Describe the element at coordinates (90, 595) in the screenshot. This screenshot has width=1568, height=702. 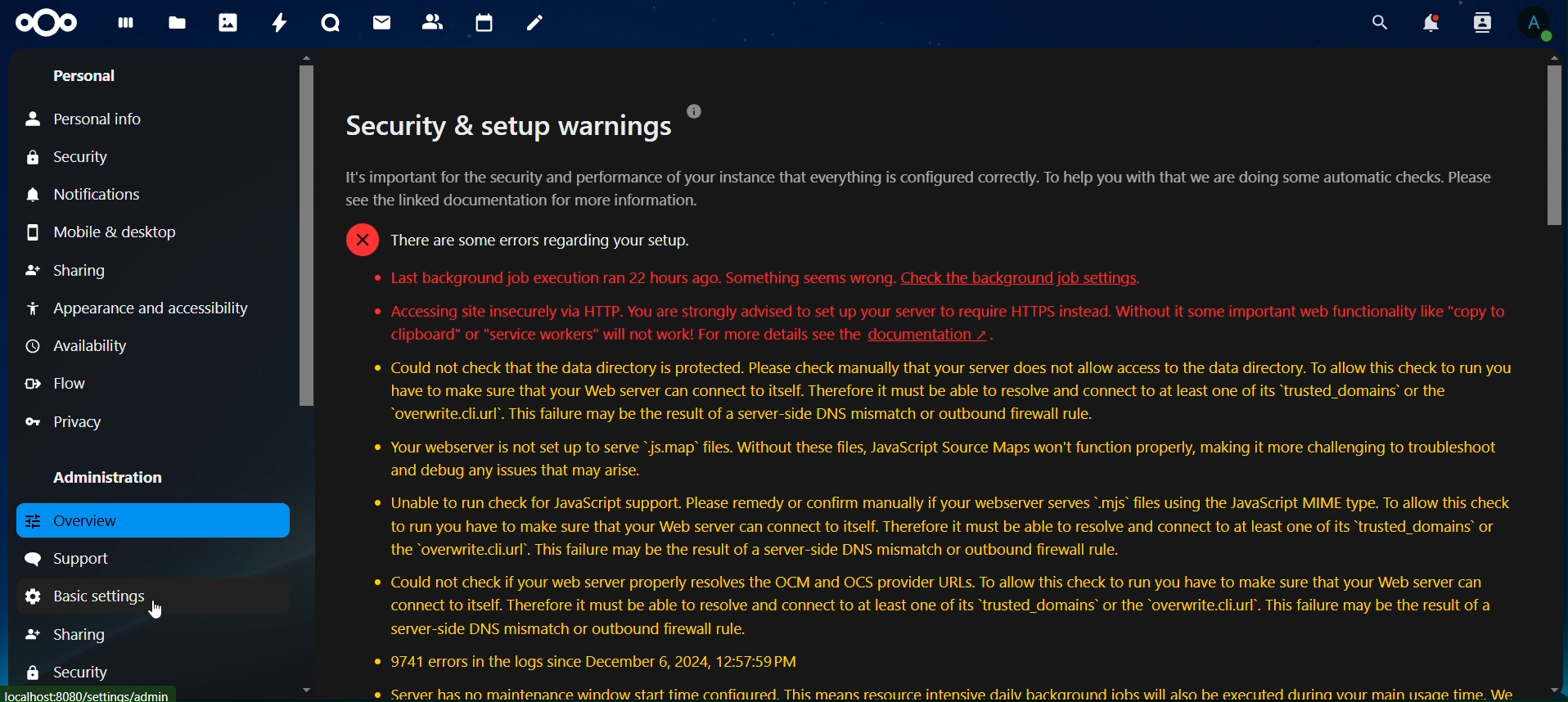
I see `basic settings` at that location.